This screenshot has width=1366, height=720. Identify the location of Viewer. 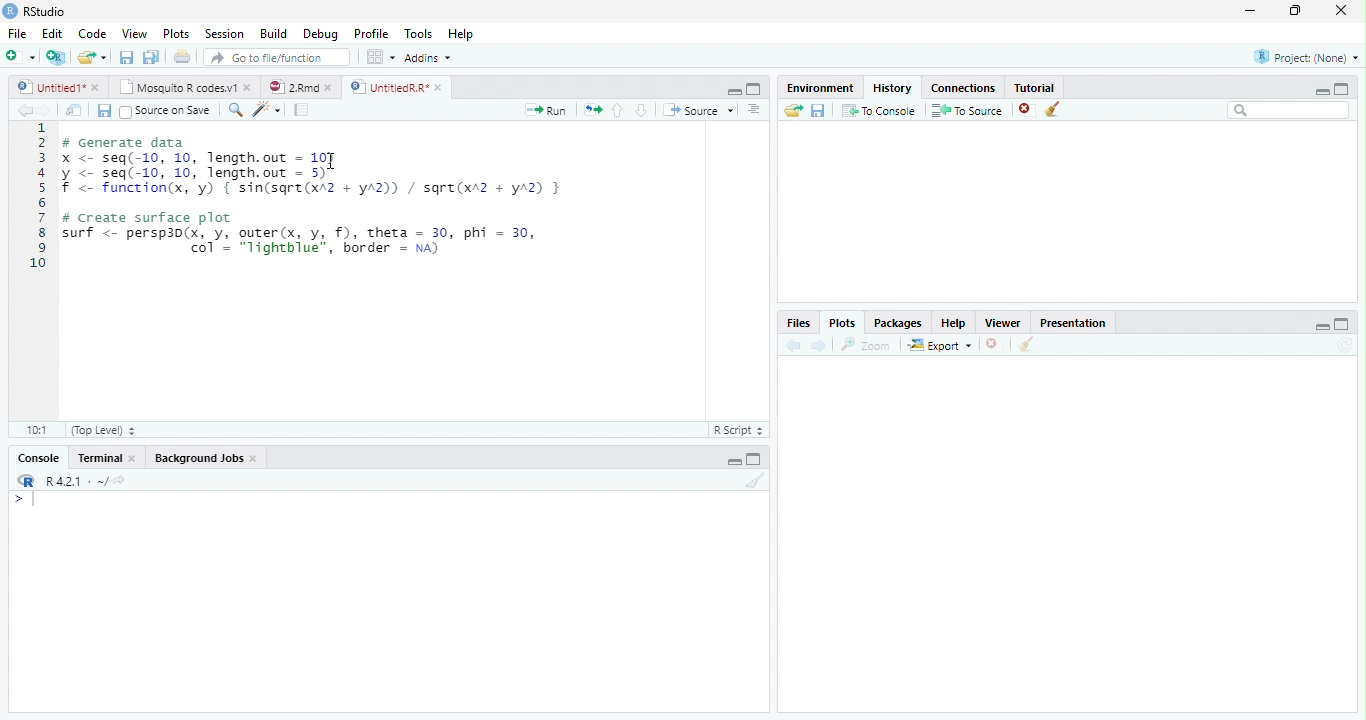
(1002, 322).